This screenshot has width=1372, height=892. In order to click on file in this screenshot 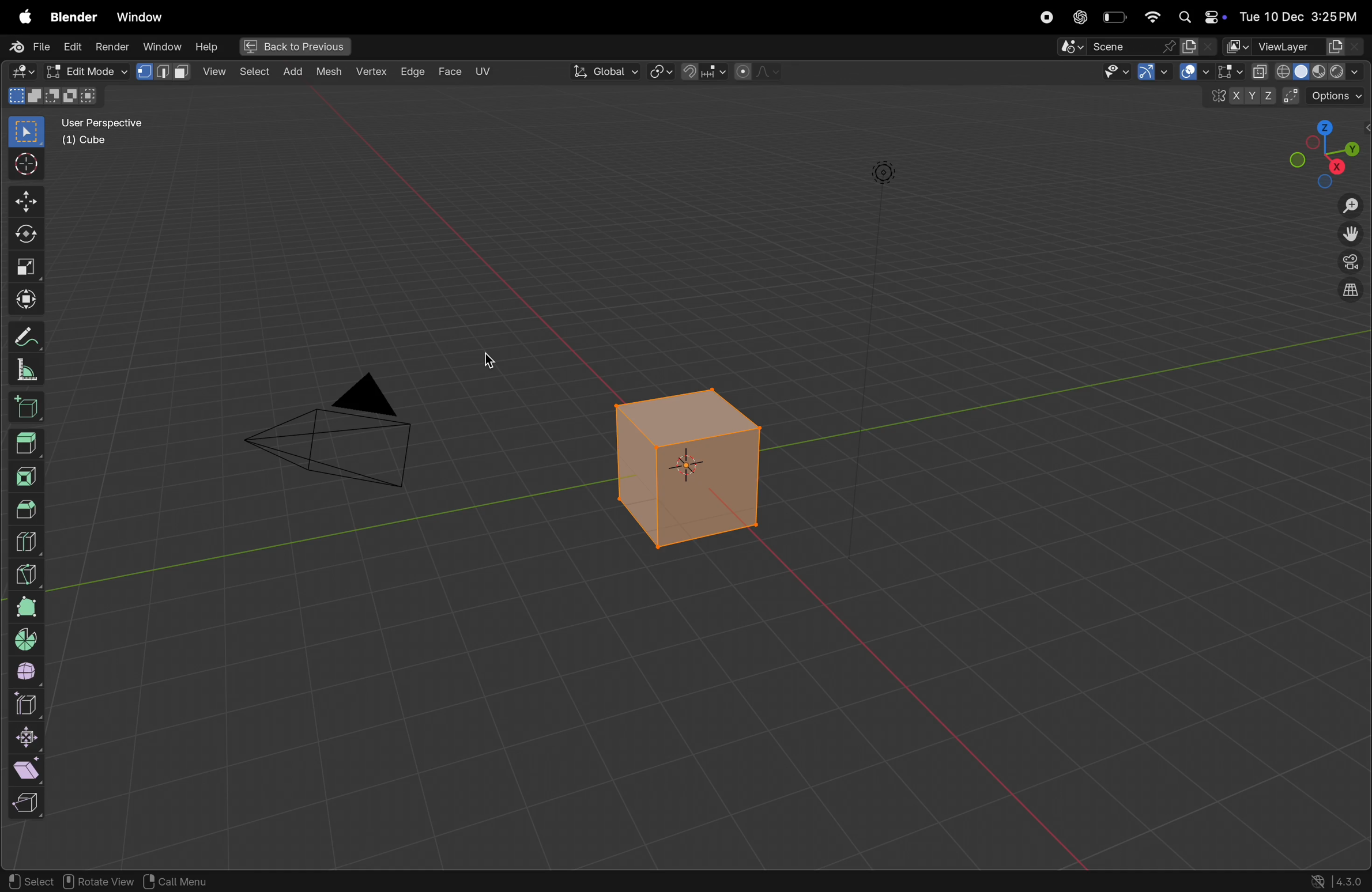, I will do `click(26, 46)`.